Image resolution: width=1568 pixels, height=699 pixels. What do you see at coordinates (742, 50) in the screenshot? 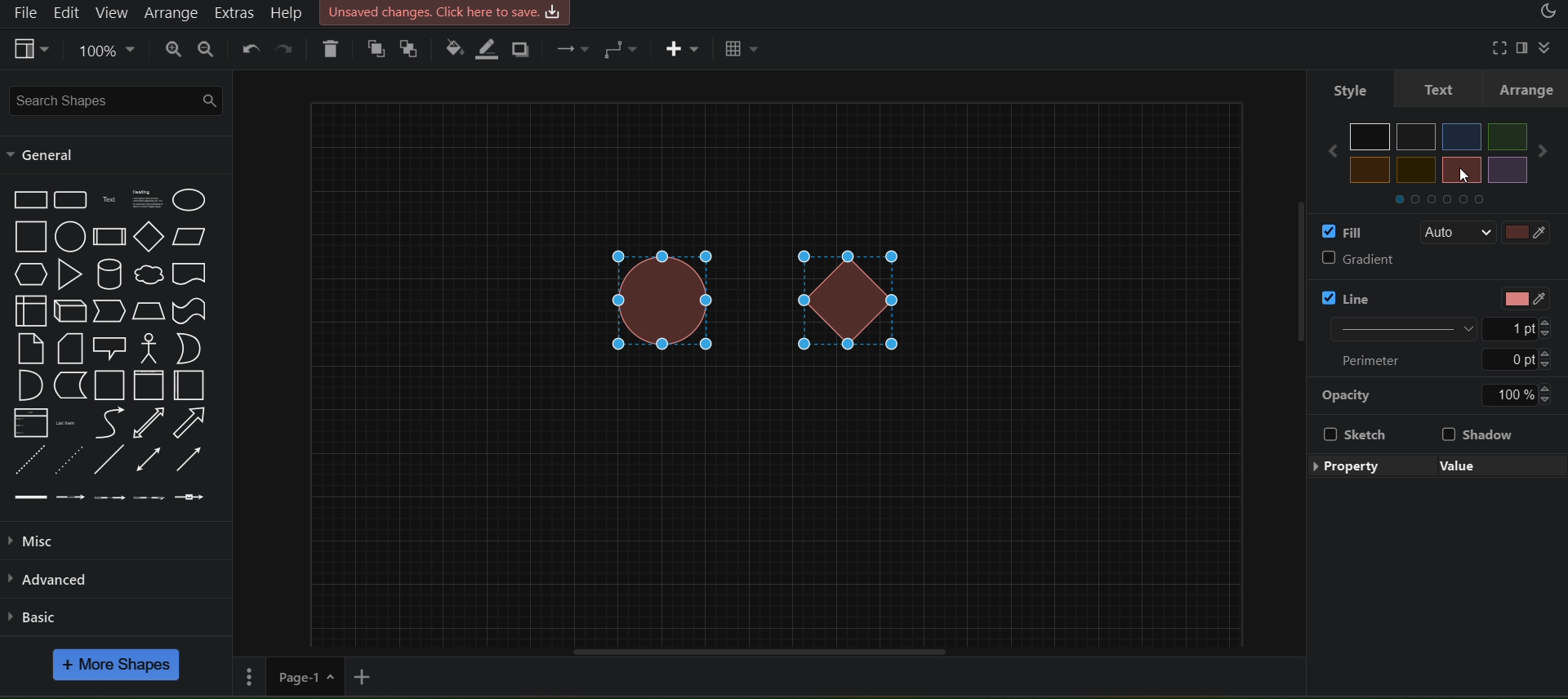
I see `table` at bounding box center [742, 50].